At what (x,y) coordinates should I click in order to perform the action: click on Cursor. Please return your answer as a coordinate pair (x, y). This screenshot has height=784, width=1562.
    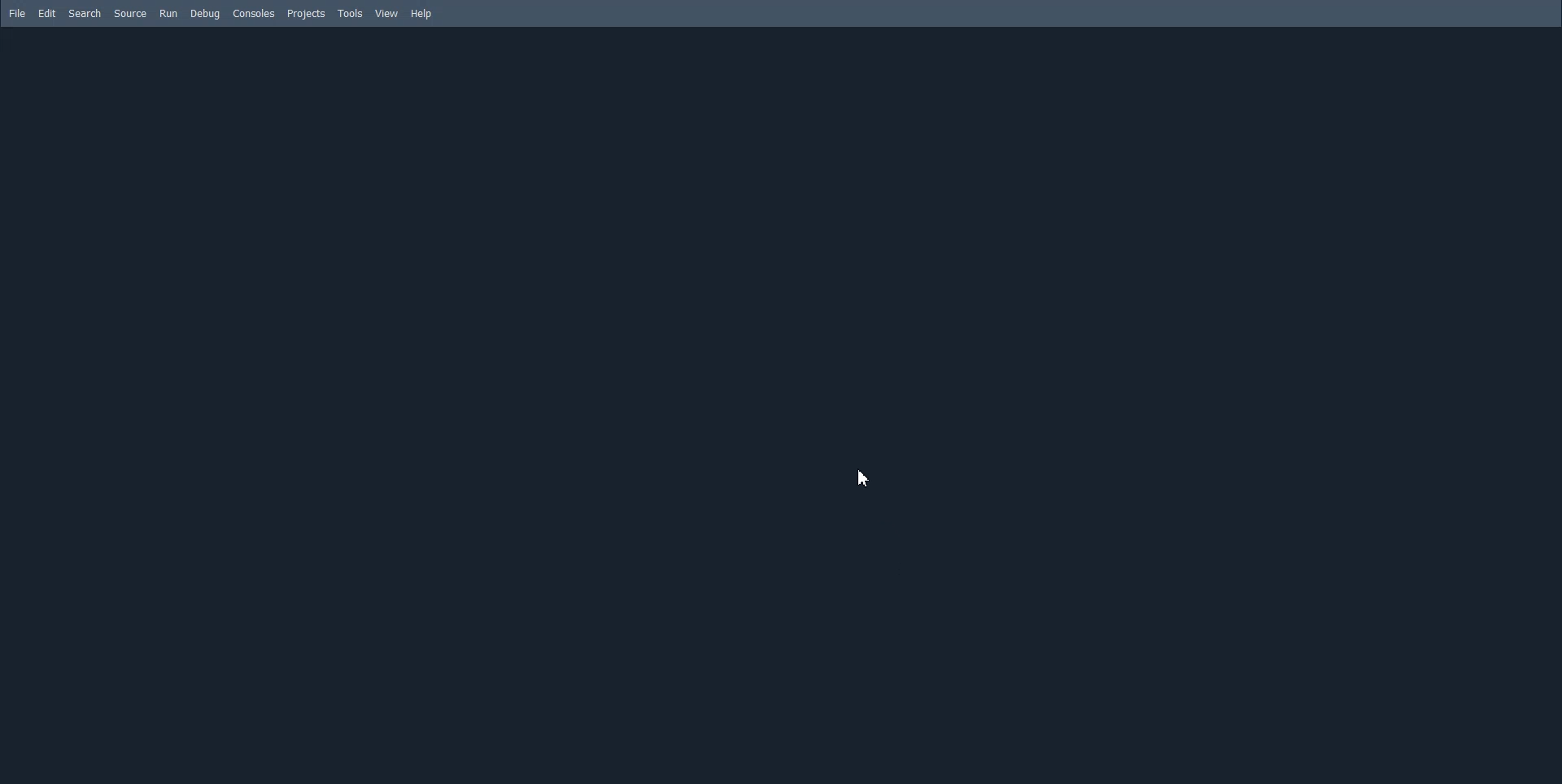
    Looking at the image, I should click on (862, 477).